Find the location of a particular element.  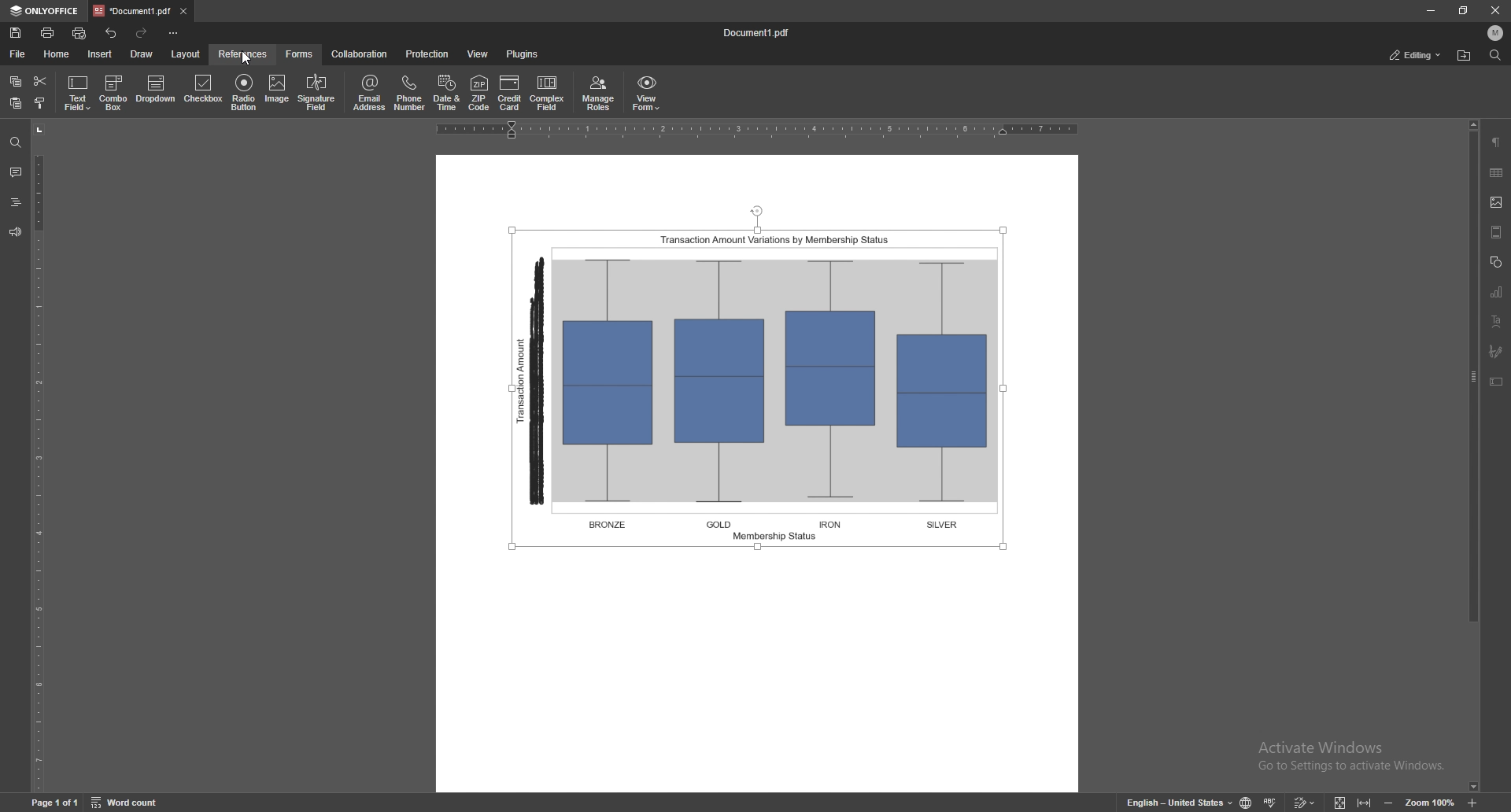

resize is located at coordinates (1461, 10).